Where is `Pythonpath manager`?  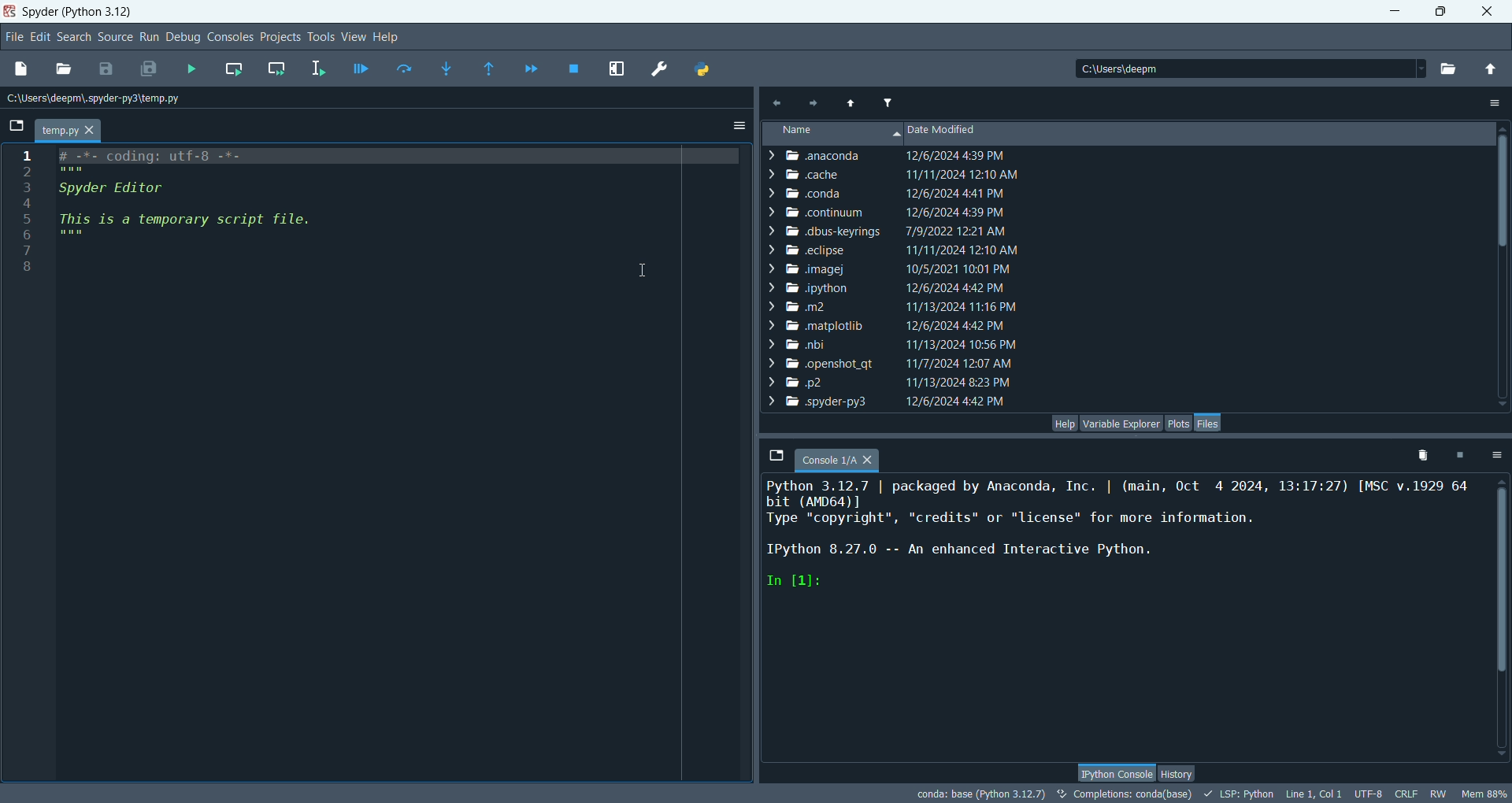
Pythonpath manager is located at coordinates (703, 69).